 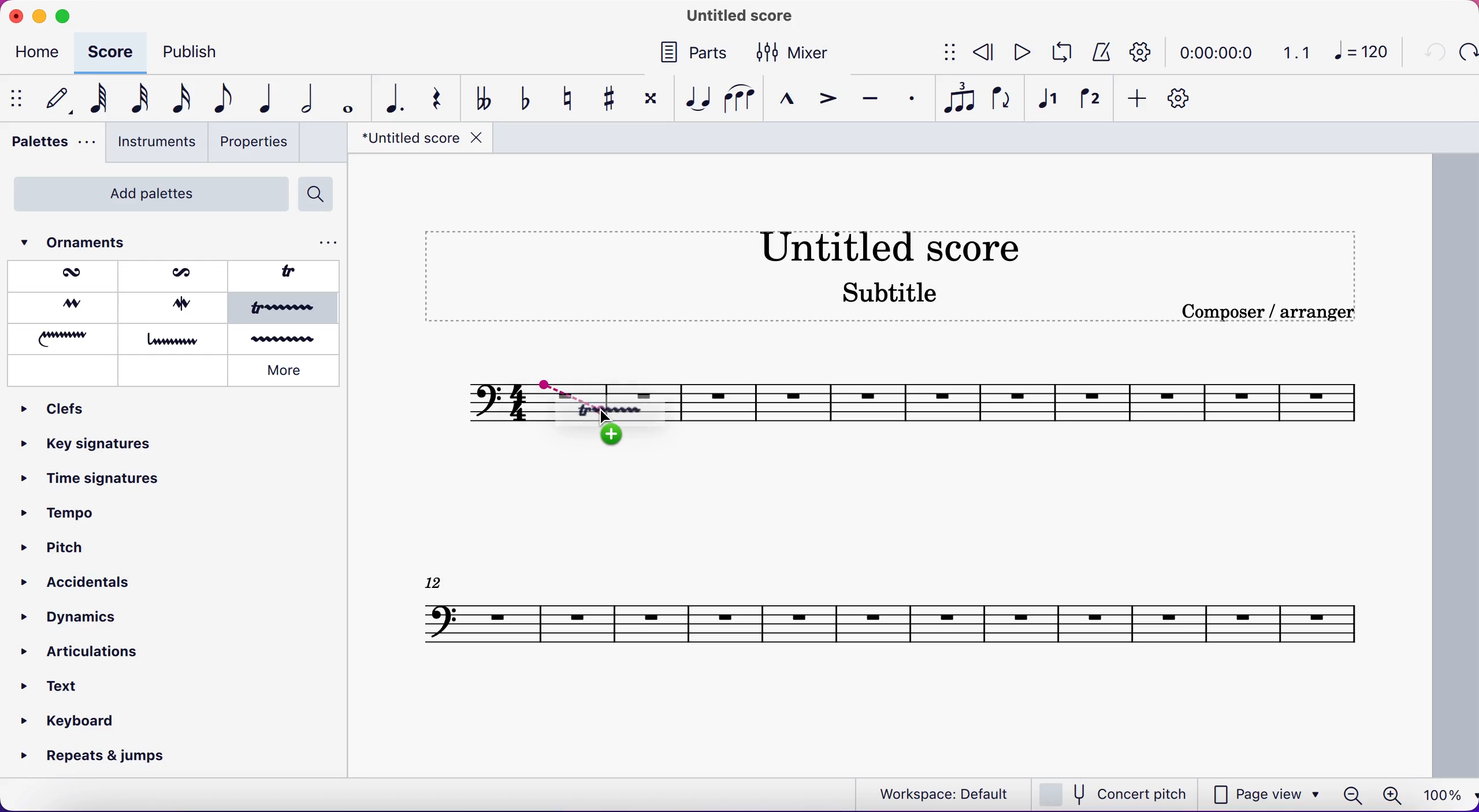 What do you see at coordinates (40, 54) in the screenshot?
I see `home` at bounding box center [40, 54].